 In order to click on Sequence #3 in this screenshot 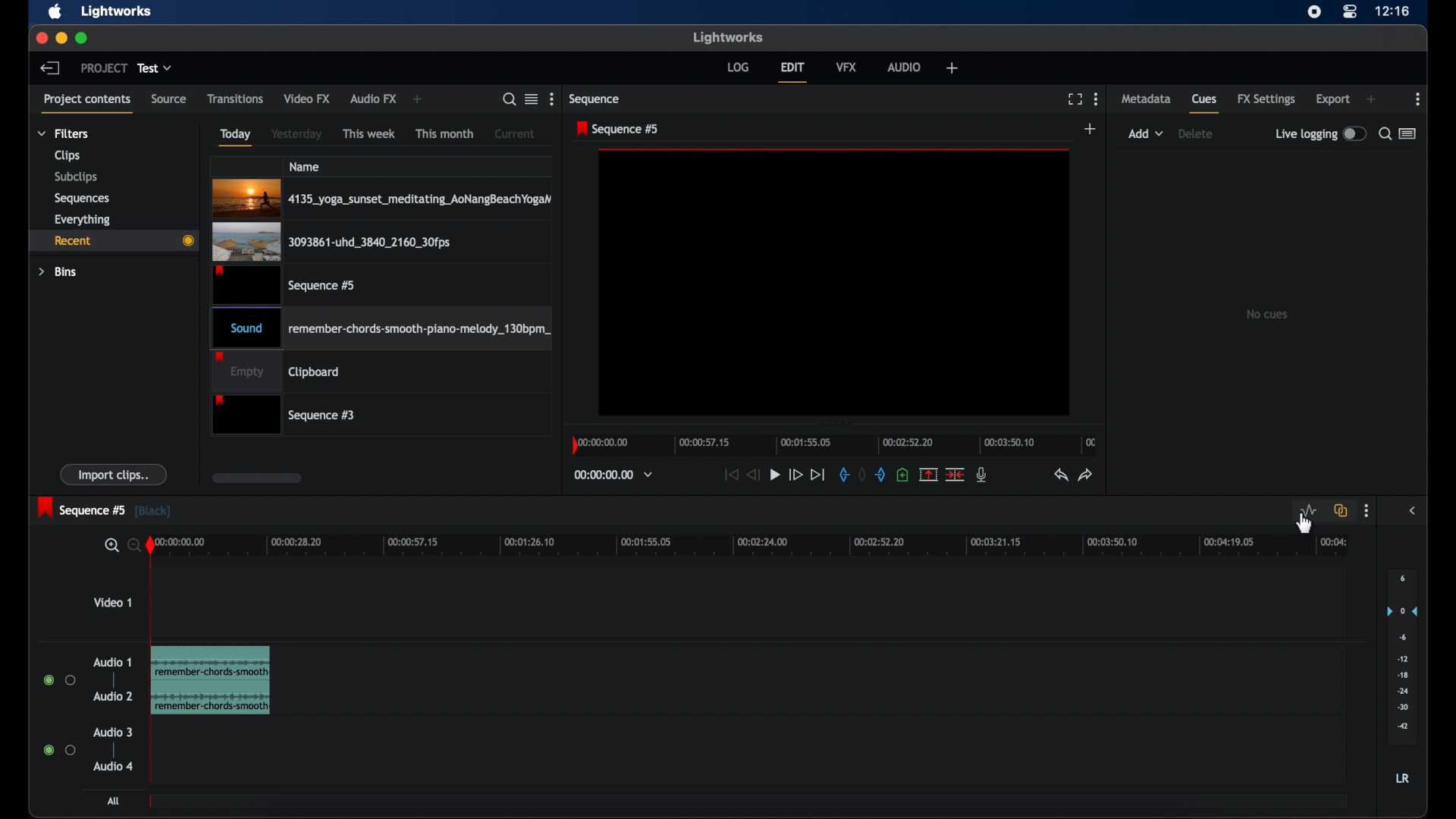, I will do `click(286, 416)`.